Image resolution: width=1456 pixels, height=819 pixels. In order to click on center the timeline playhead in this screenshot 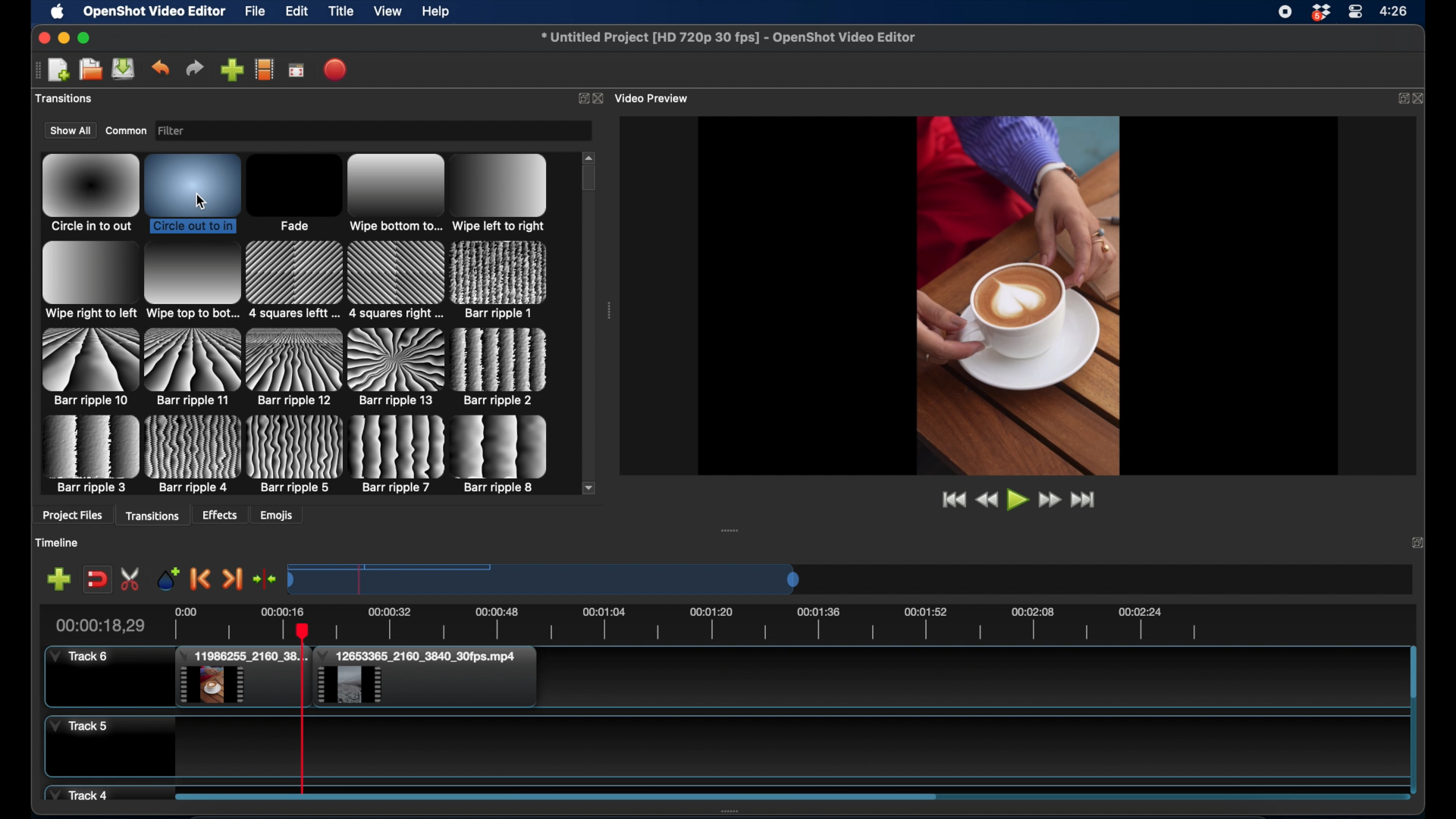, I will do `click(265, 580)`.